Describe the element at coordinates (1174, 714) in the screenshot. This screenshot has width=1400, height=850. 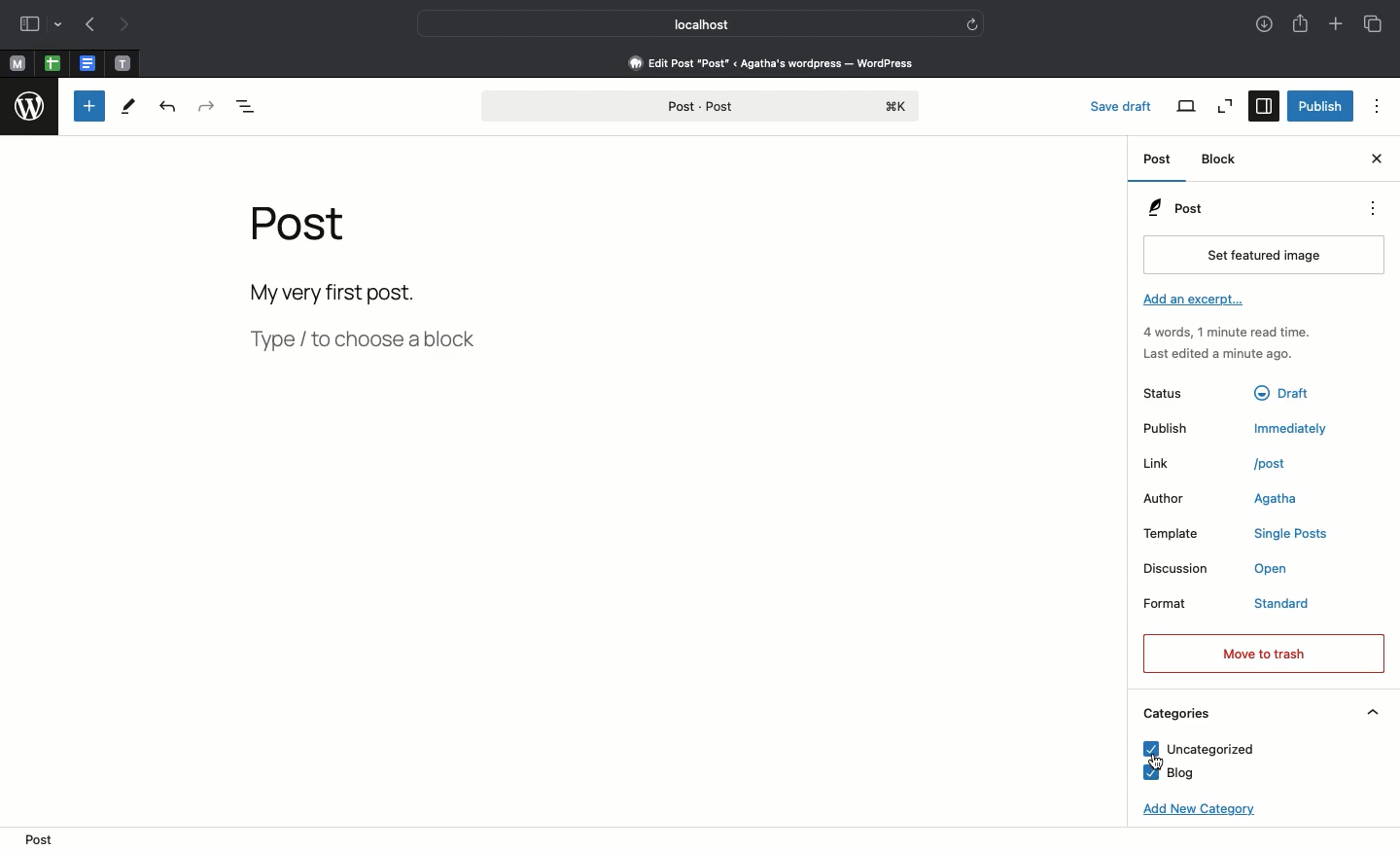
I see `Categories` at that location.